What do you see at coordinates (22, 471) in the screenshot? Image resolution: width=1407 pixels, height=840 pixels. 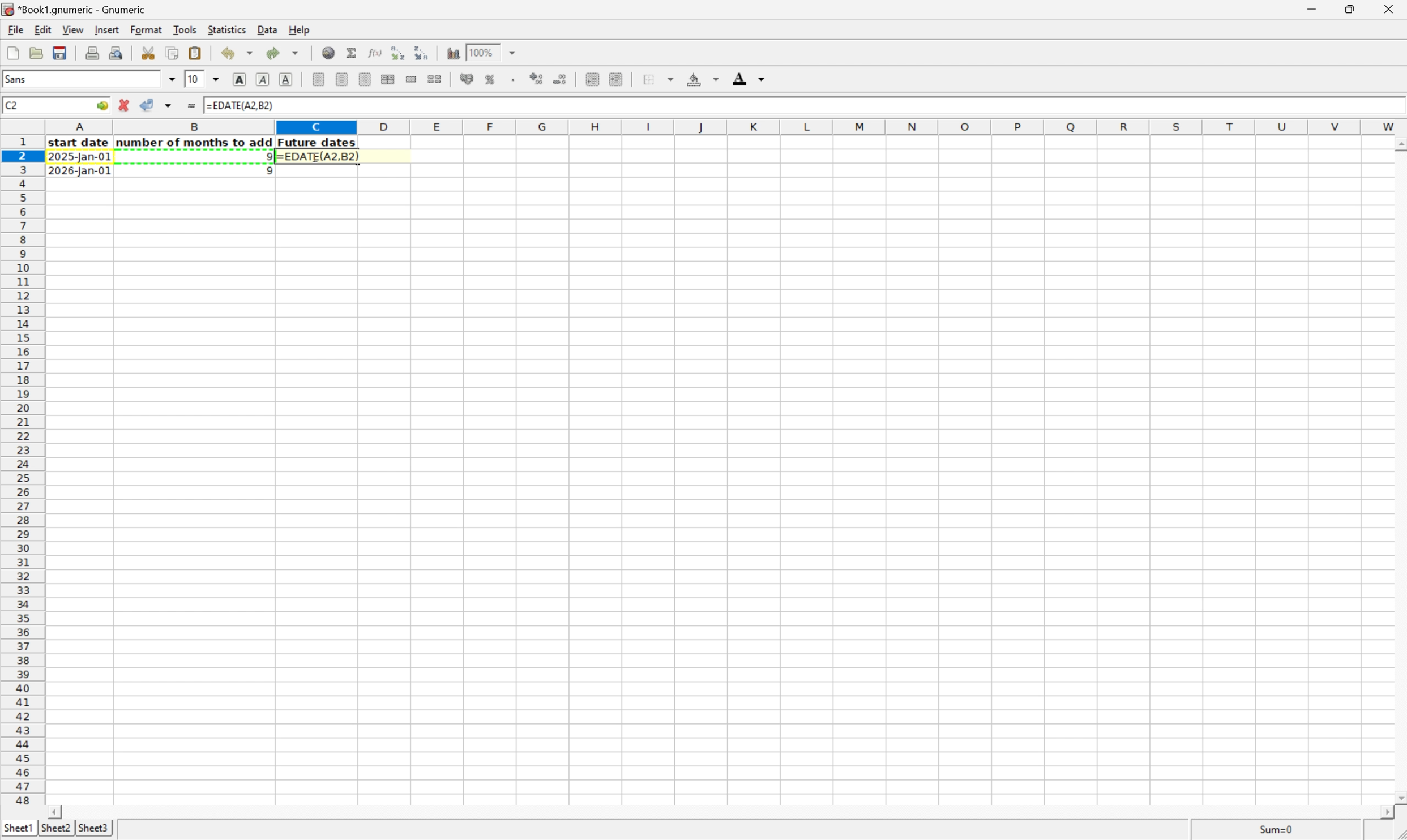 I see `Row numbers` at bounding box center [22, 471].